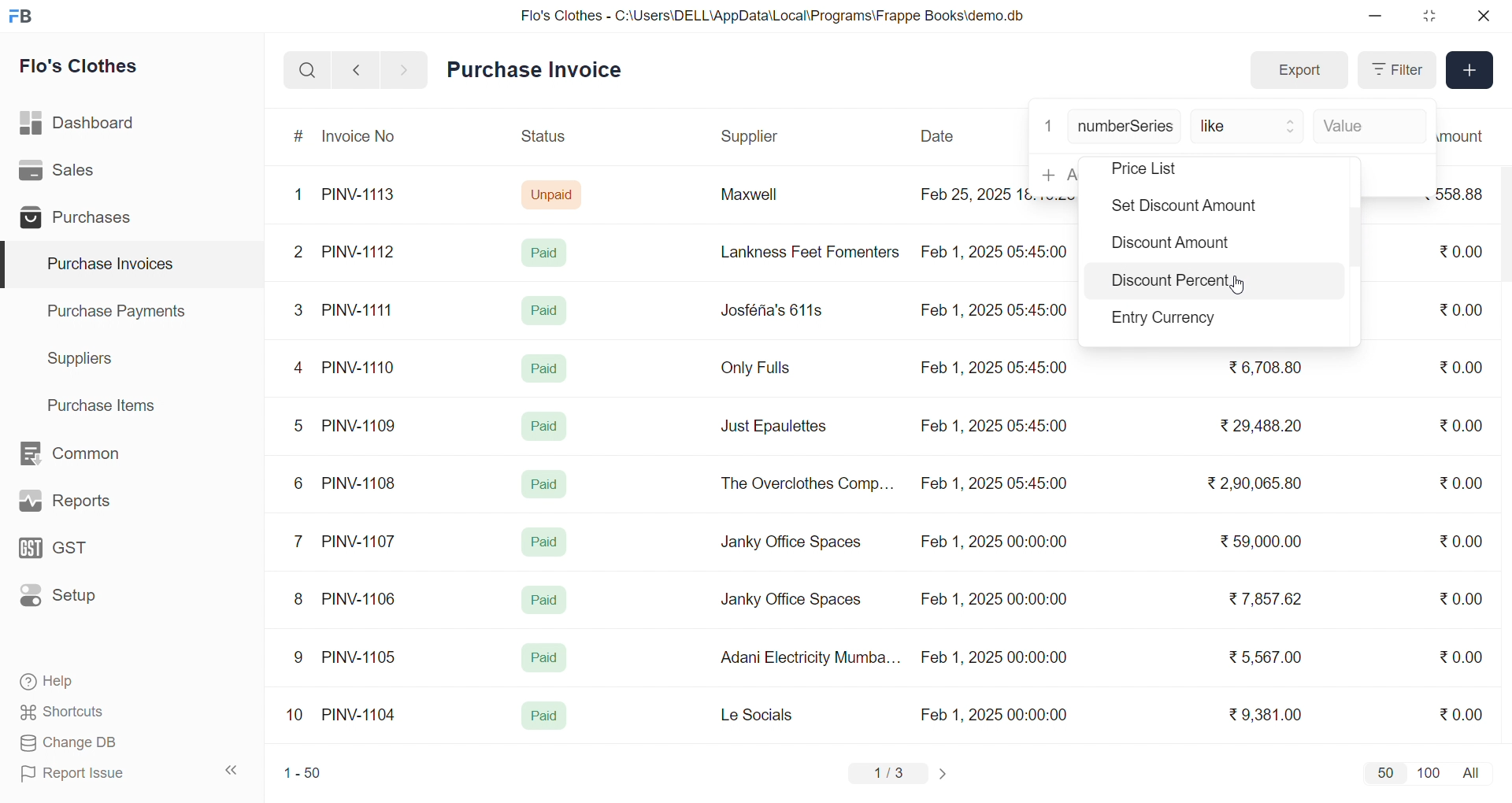  Describe the element at coordinates (299, 657) in the screenshot. I see `9` at that location.